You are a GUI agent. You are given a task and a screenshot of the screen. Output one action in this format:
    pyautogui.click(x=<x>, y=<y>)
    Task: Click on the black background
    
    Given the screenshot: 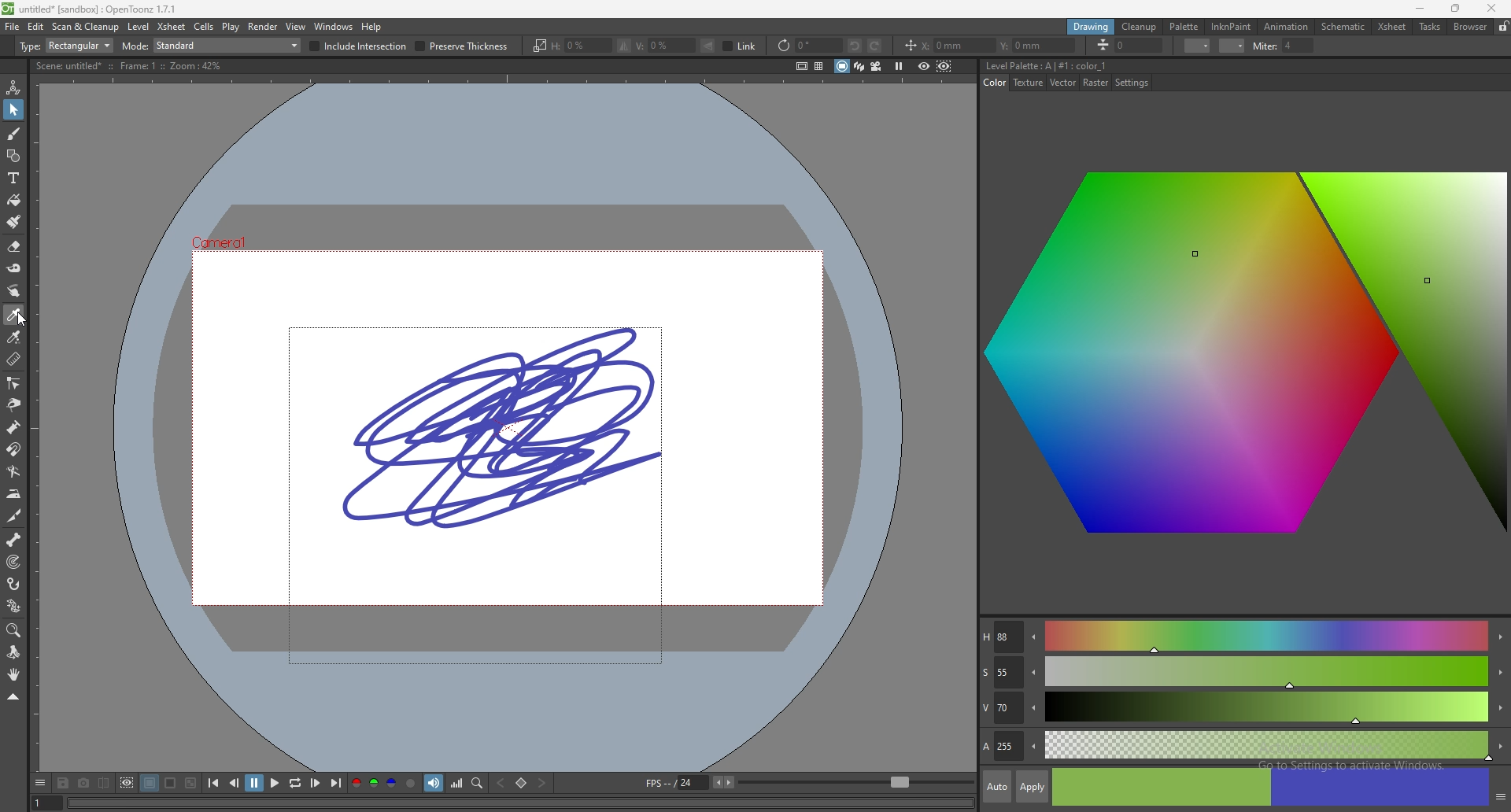 What is the action you would take?
    pyautogui.click(x=150, y=783)
    